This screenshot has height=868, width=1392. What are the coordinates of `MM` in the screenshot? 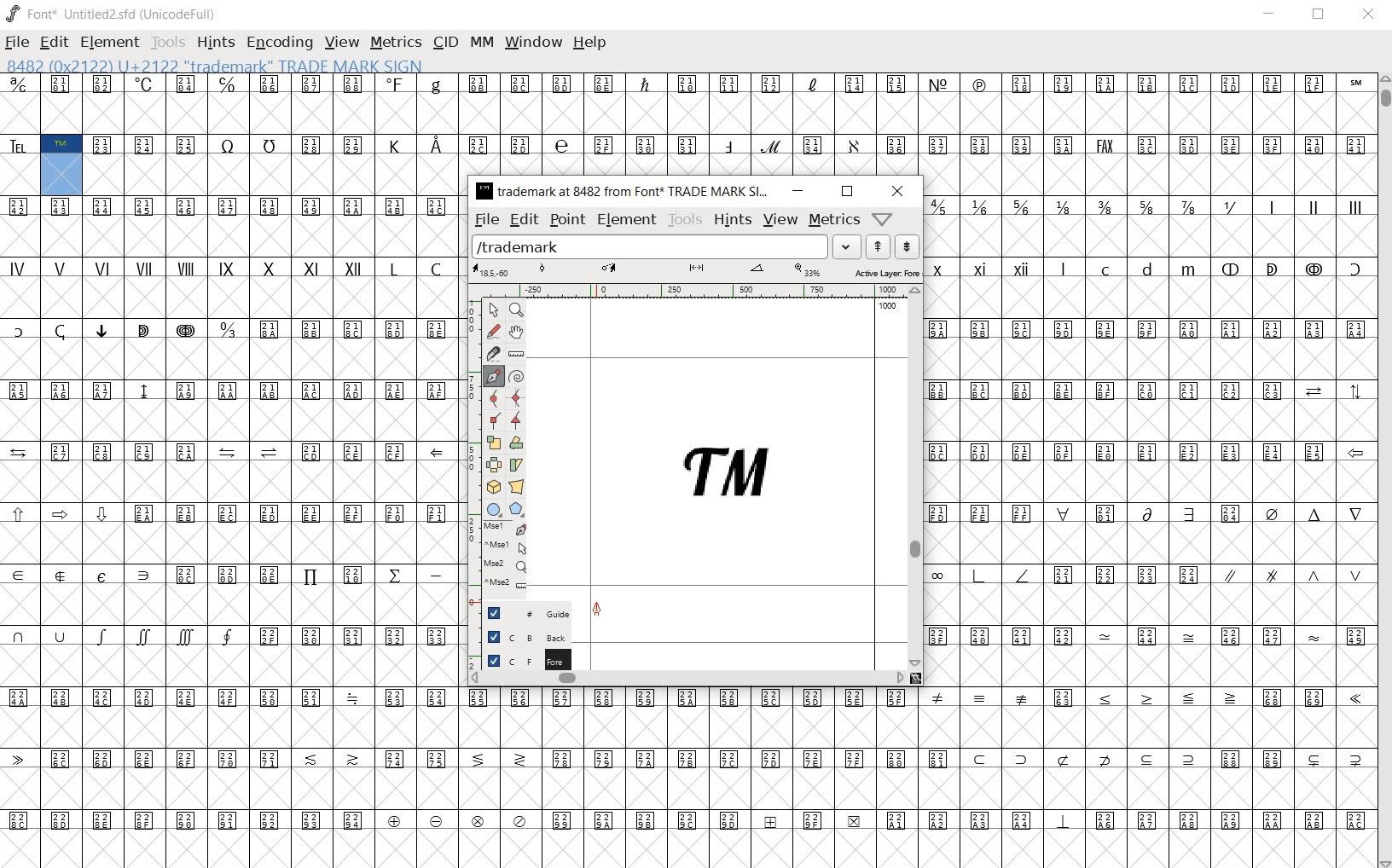 It's located at (481, 44).